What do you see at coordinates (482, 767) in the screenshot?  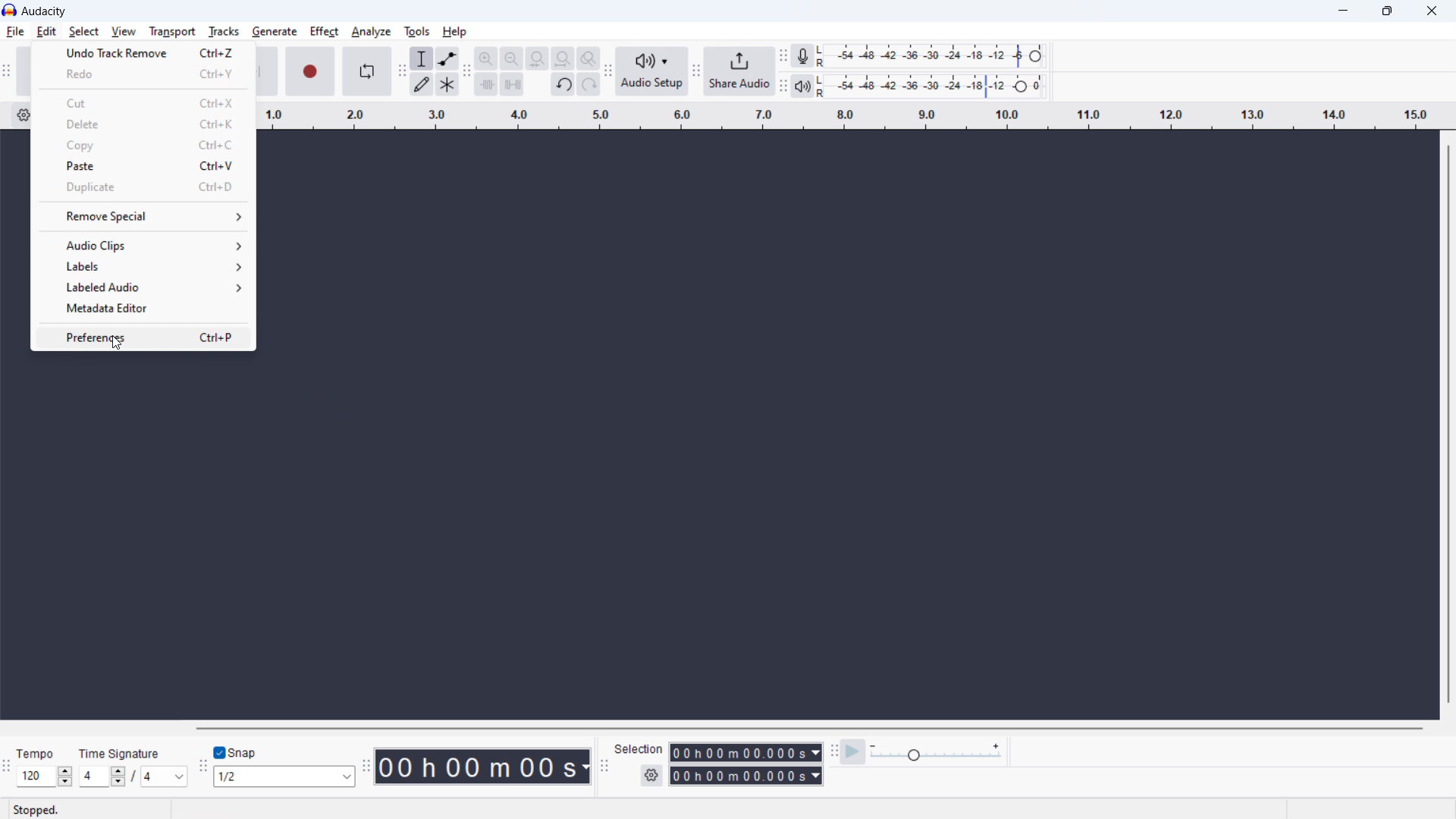 I see `timestamp` at bounding box center [482, 767].